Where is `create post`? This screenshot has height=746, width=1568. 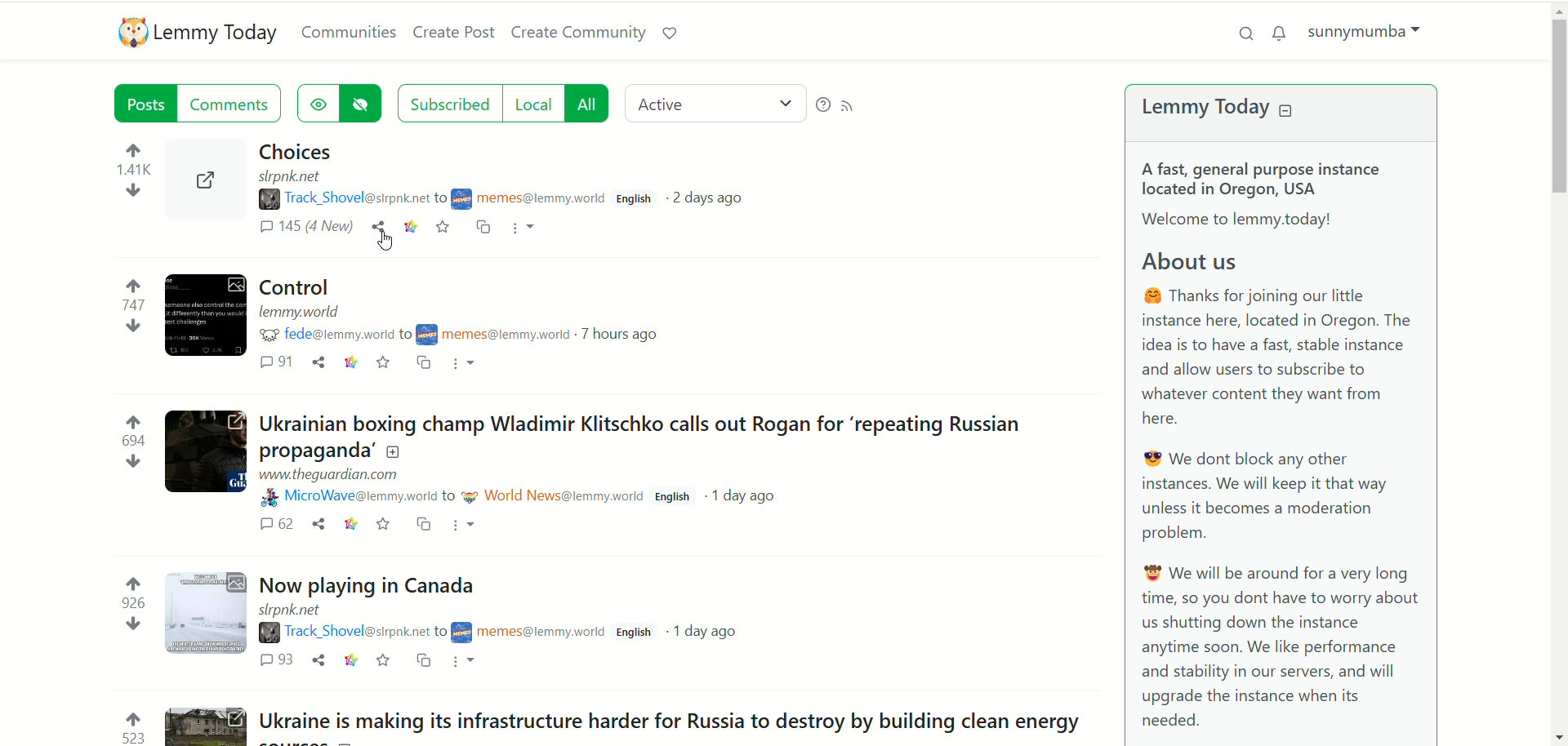 create post is located at coordinates (452, 30).